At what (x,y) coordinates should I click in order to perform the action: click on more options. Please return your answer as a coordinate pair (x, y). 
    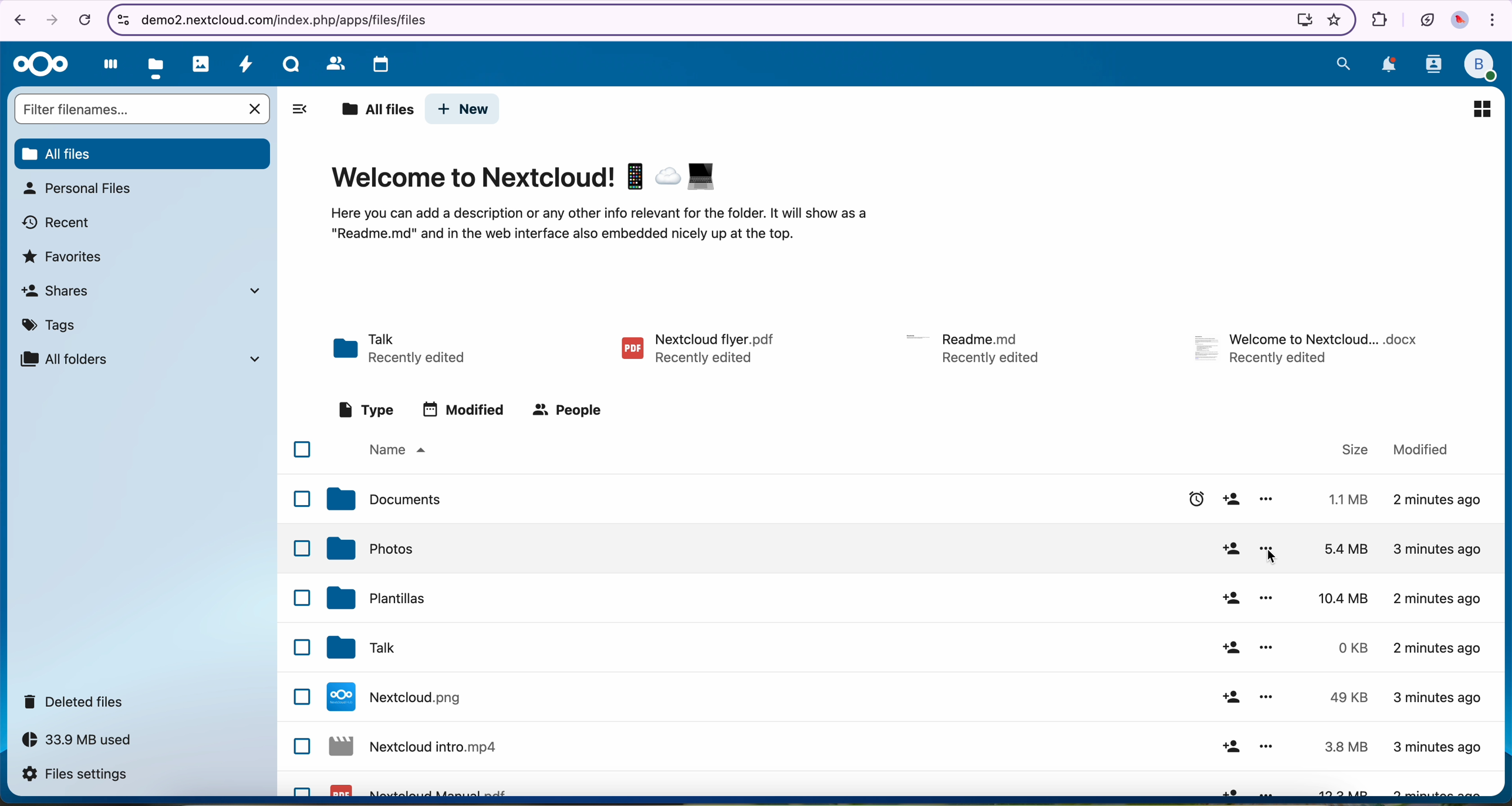
    Looking at the image, I should click on (1265, 648).